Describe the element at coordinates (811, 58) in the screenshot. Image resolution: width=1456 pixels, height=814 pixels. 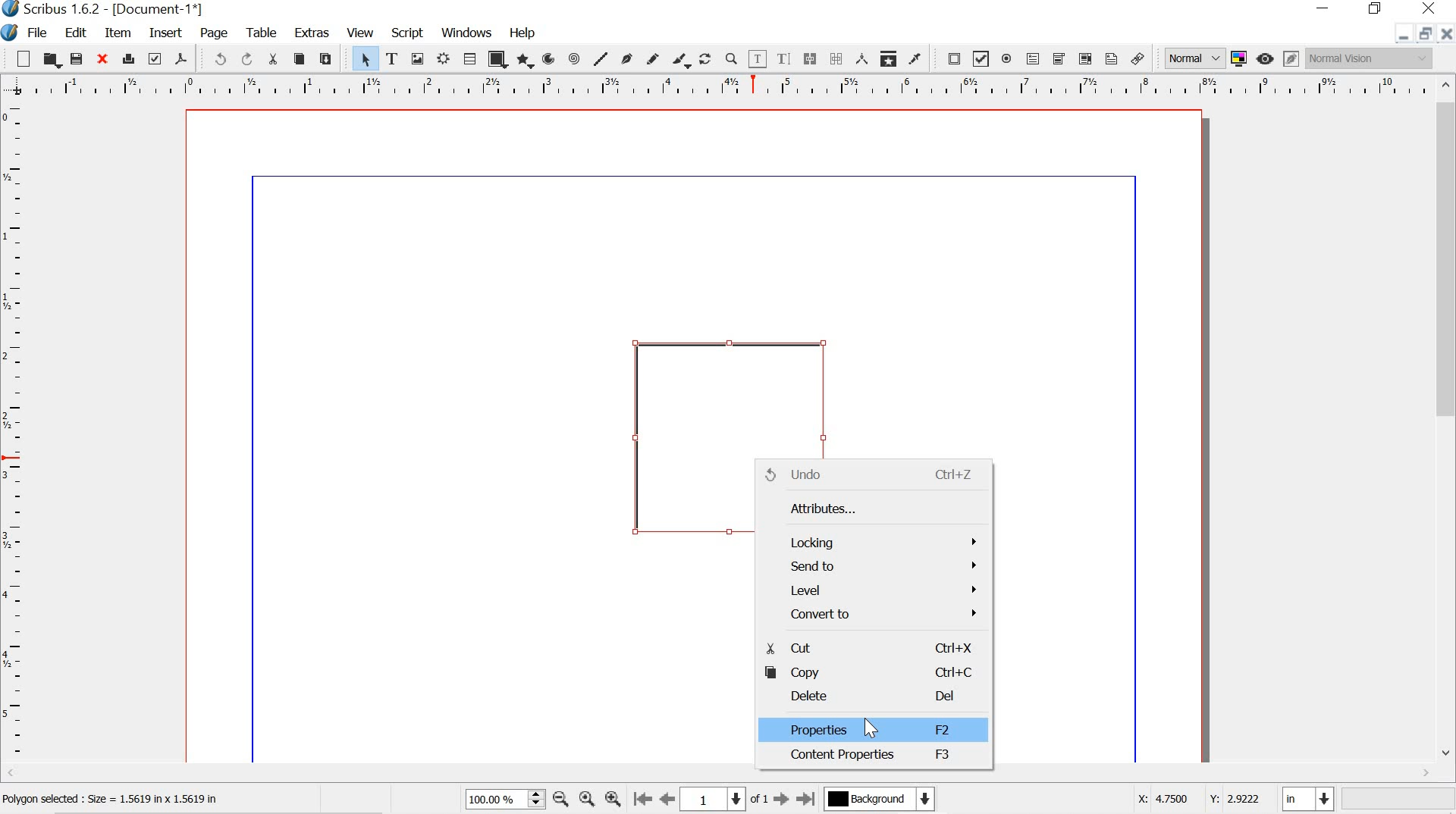
I see `link text frames` at that location.